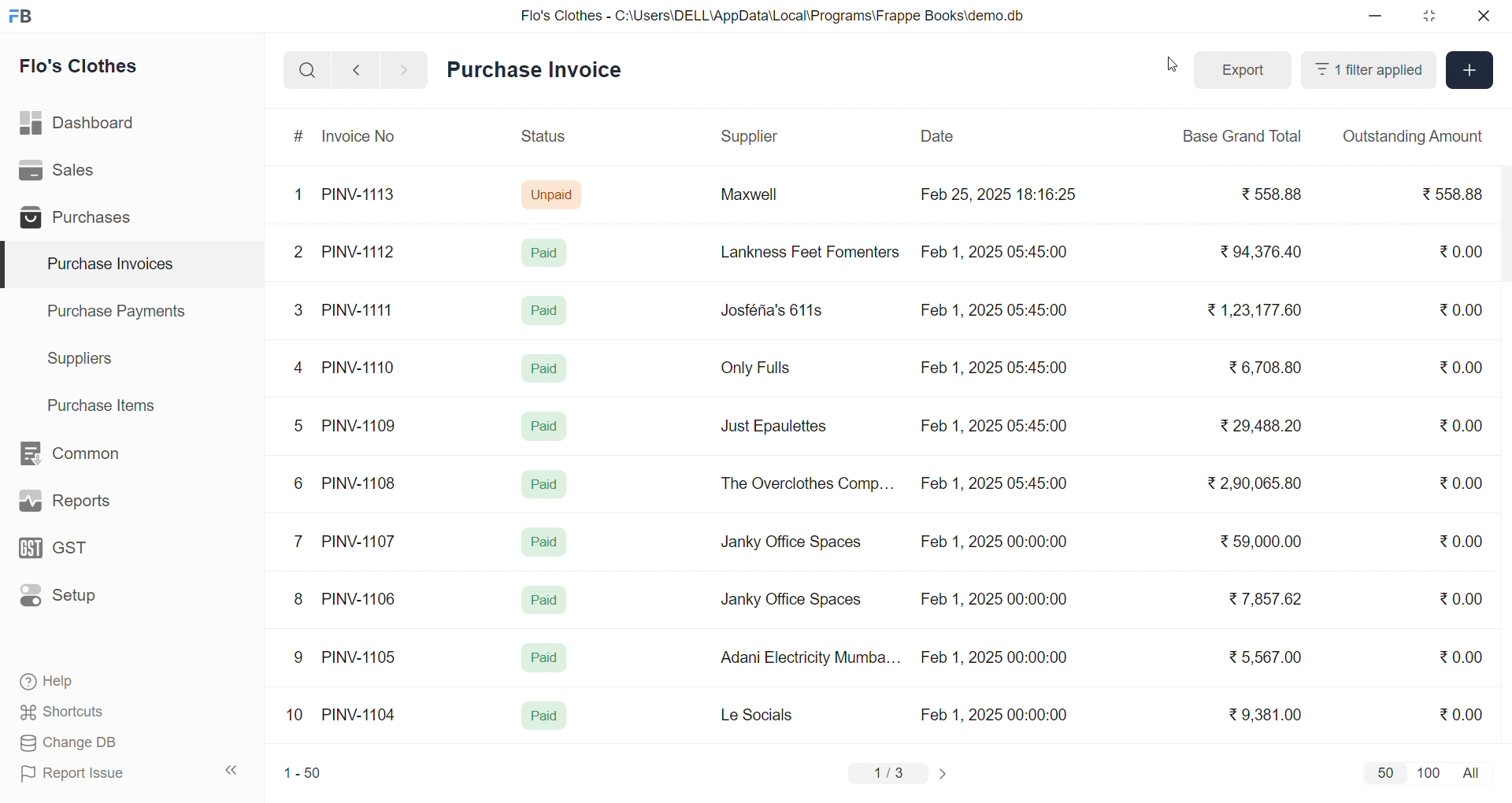 Image resolution: width=1512 pixels, height=803 pixels. I want to click on Date, so click(939, 136).